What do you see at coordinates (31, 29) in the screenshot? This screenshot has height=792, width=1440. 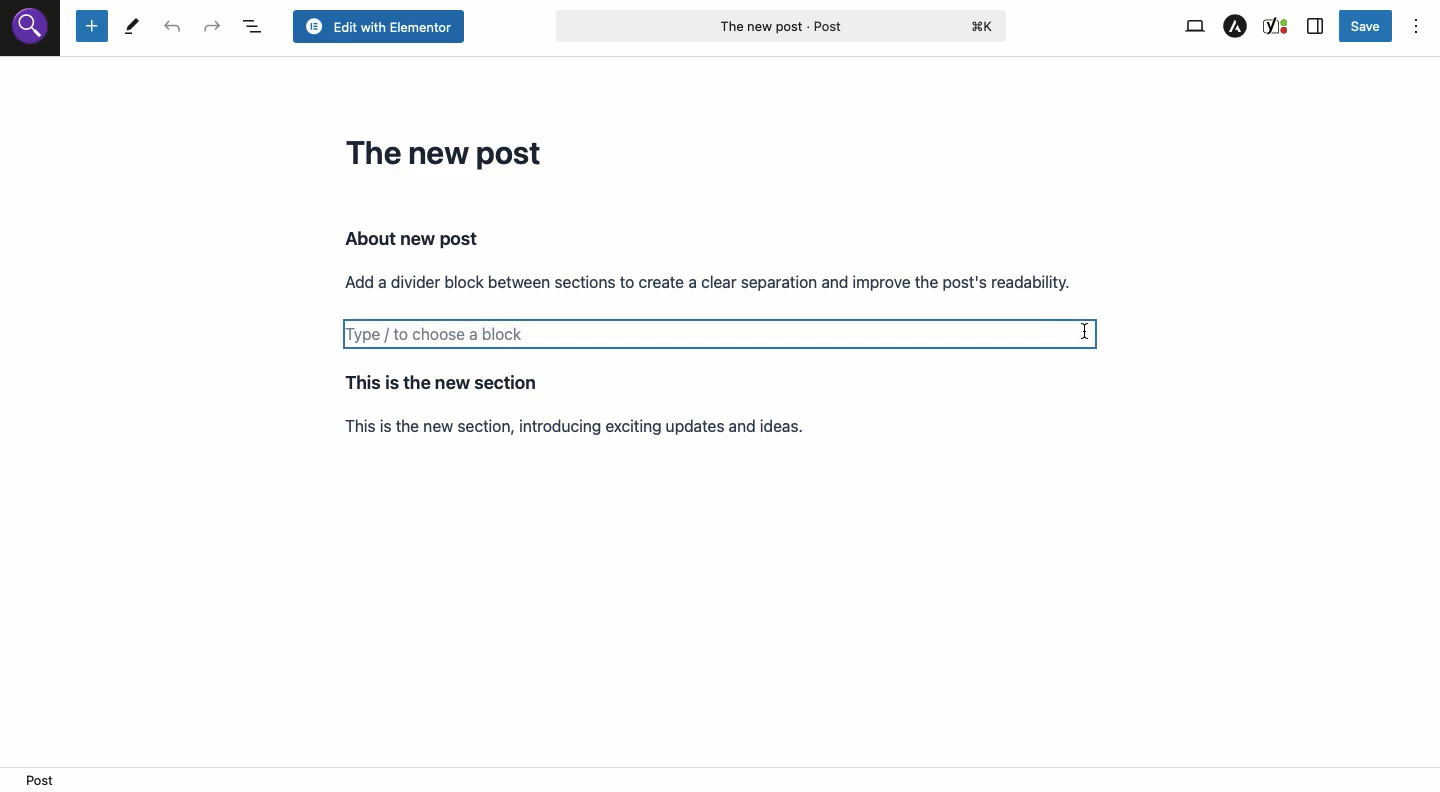 I see `Site icon` at bounding box center [31, 29].